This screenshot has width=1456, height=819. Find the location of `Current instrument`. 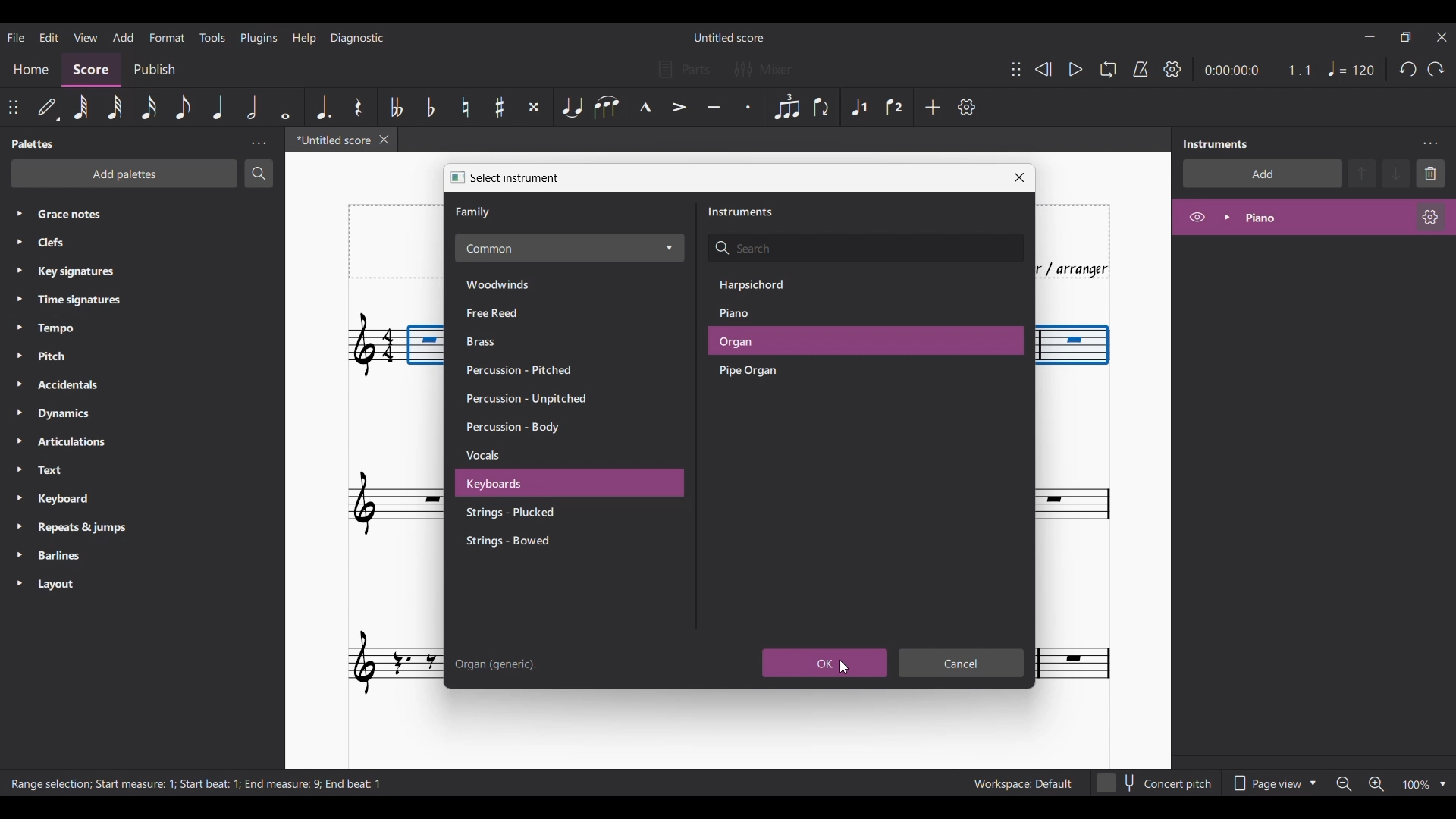

Current instrument is located at coordinates (1321, 218).